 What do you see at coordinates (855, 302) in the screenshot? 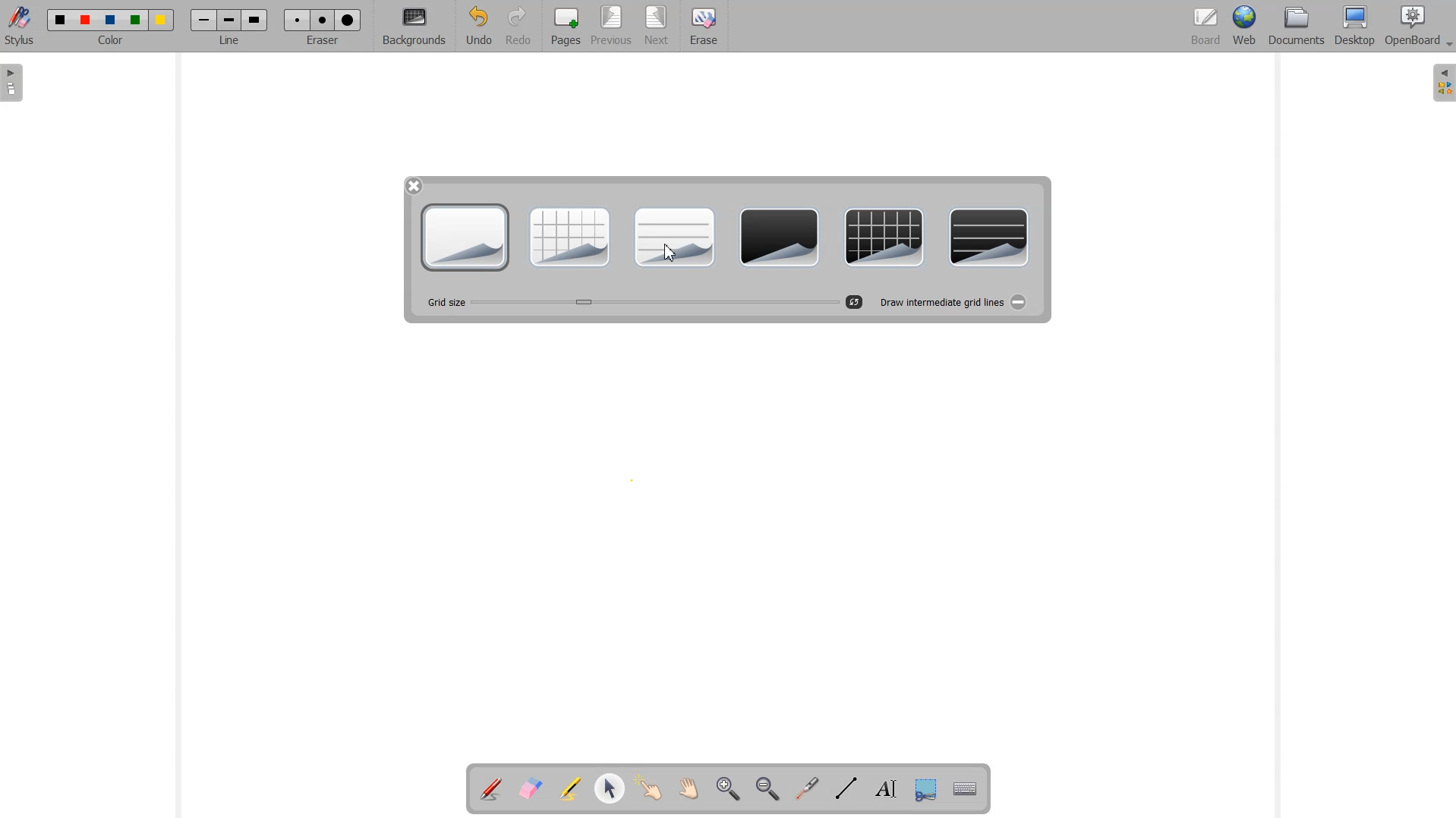
I see `Reset Grid size` at bounding box center [855, 302].